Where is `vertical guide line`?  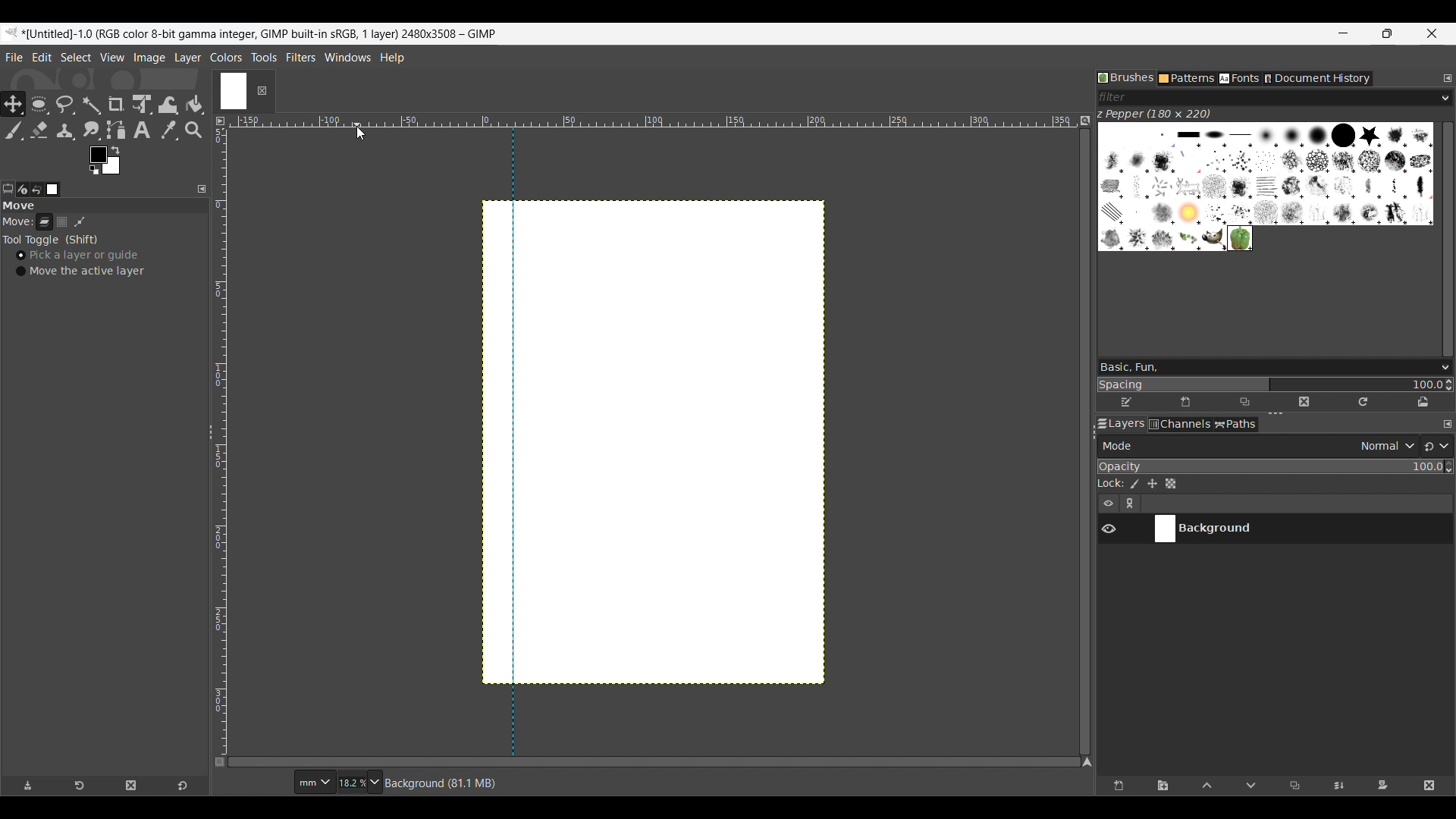 vertical guide line is located at coordinates (511, 435).